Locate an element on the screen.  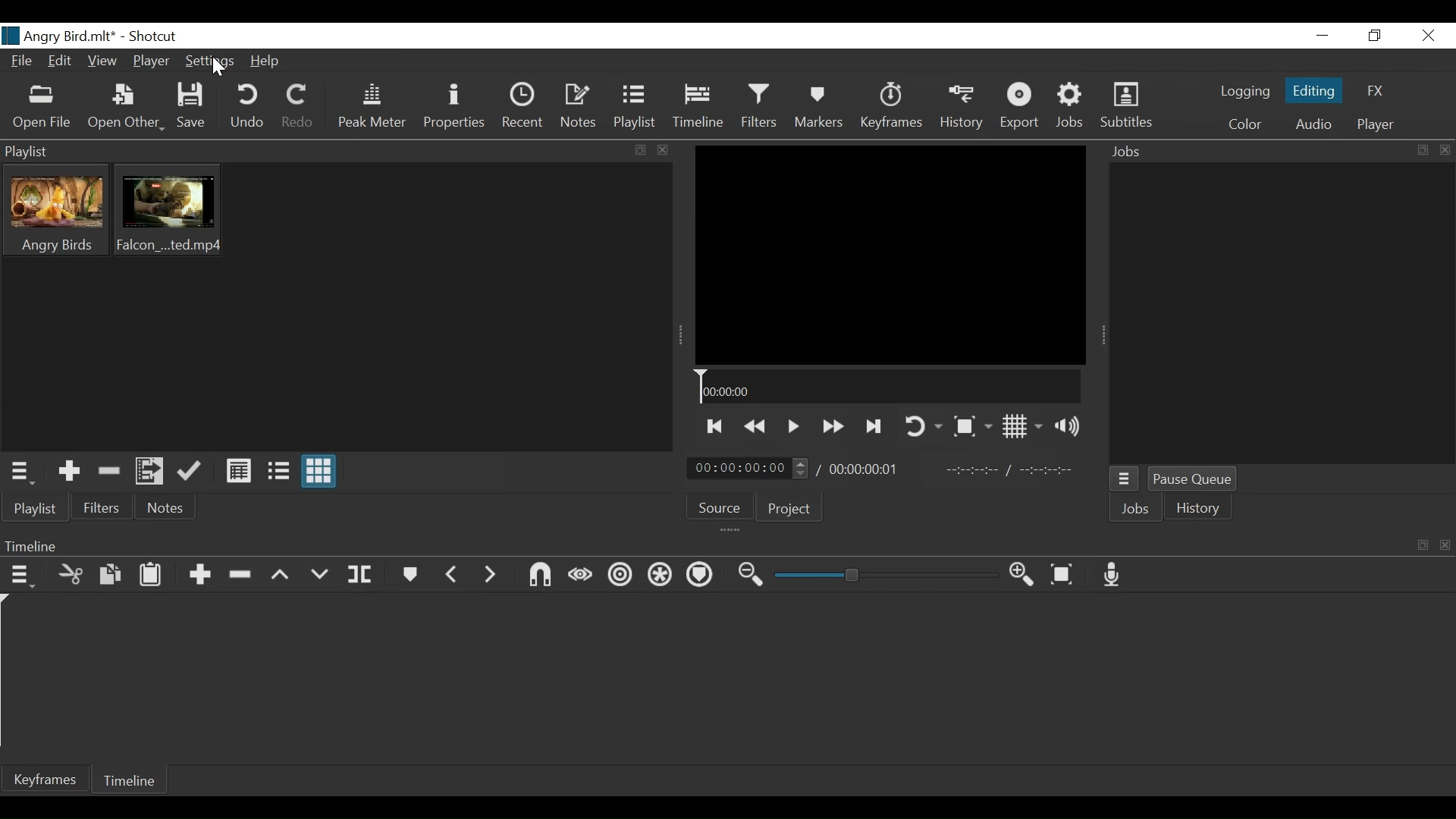
Toggle Display grid on player is located at coordinates (1018, 427).